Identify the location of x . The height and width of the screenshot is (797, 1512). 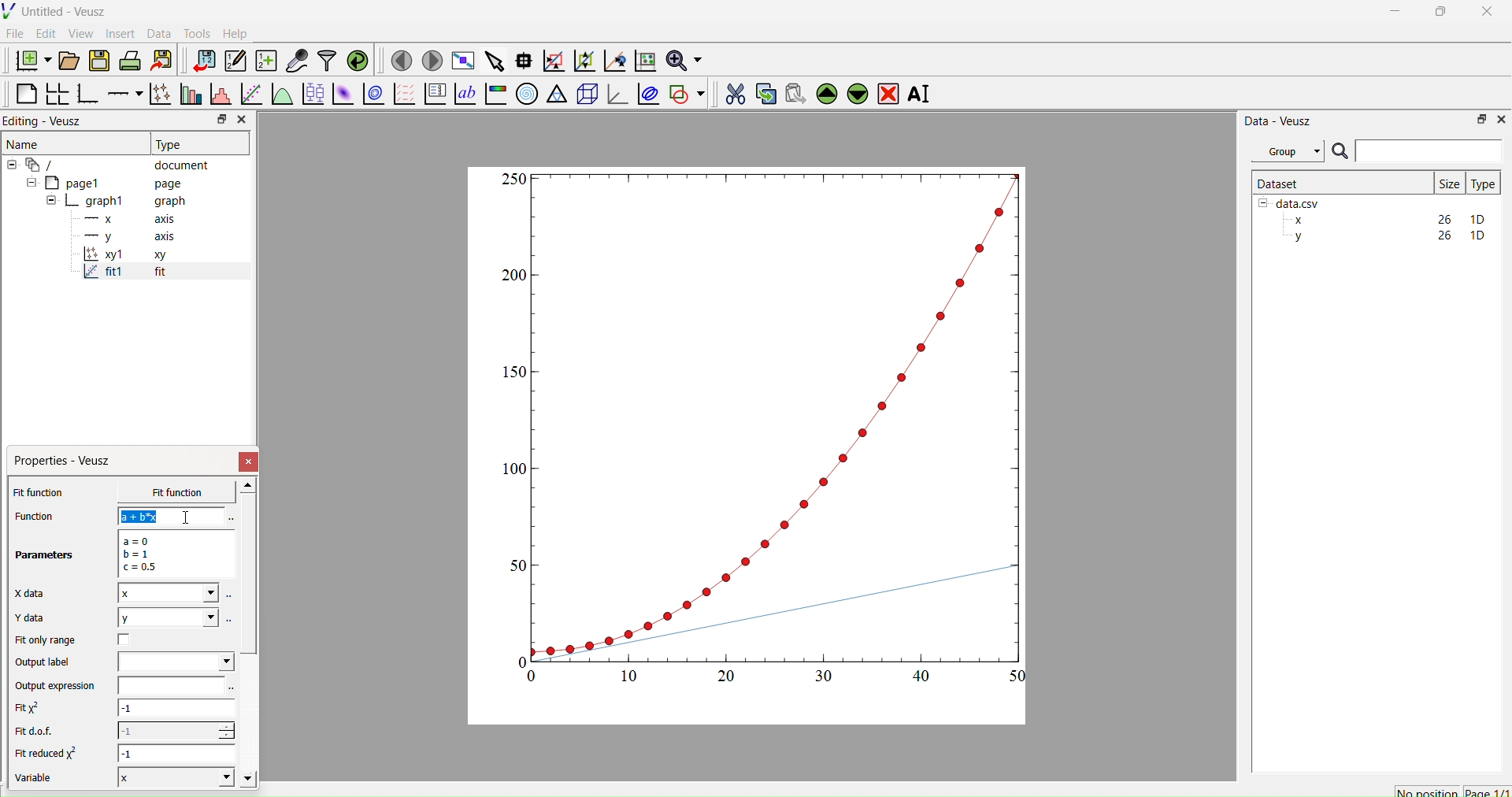
(168, 593).